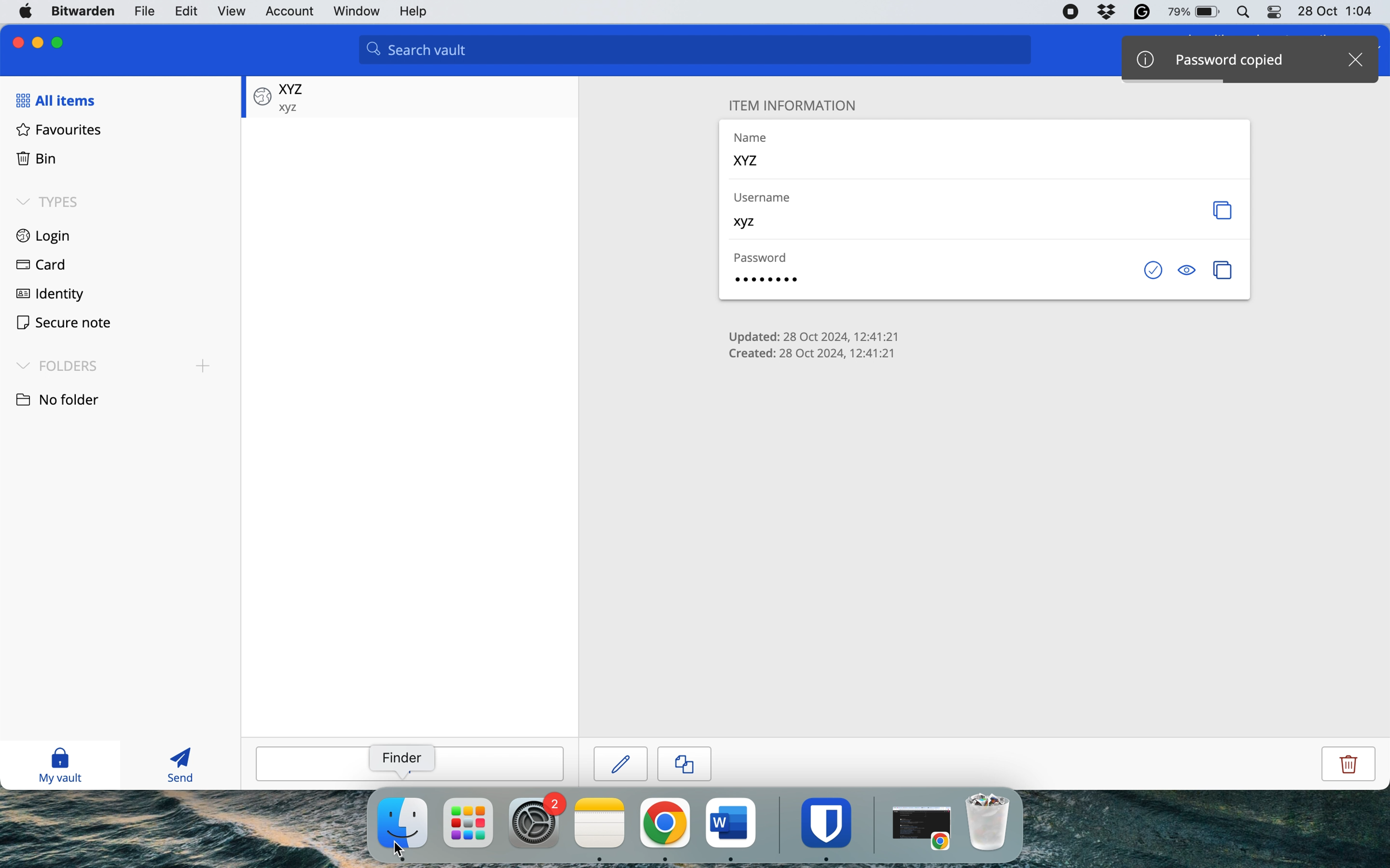  I want to click on folders, so click(116, 364).